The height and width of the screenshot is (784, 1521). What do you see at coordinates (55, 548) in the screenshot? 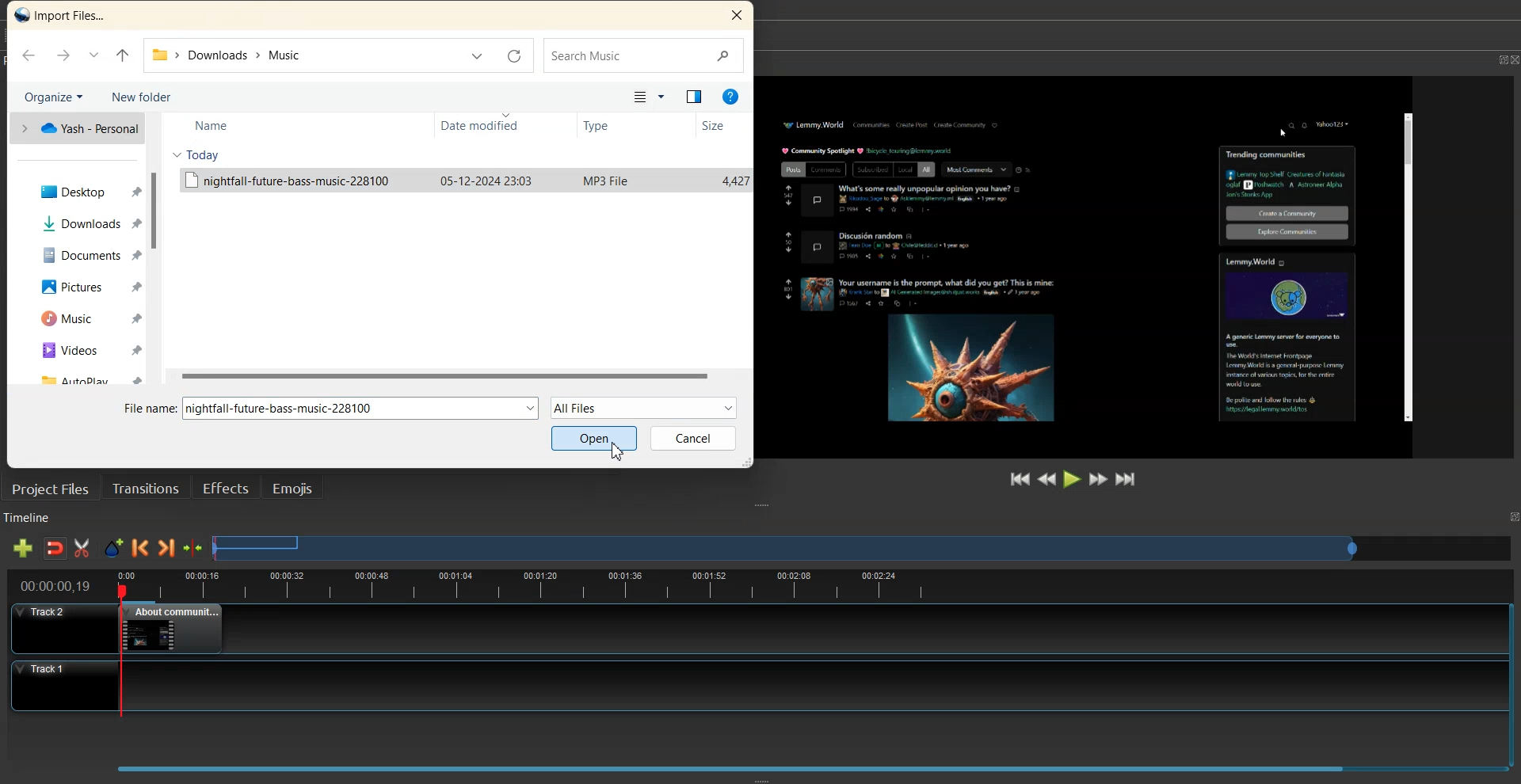
I see `Disable snaping` at bounding box center [55, 548].